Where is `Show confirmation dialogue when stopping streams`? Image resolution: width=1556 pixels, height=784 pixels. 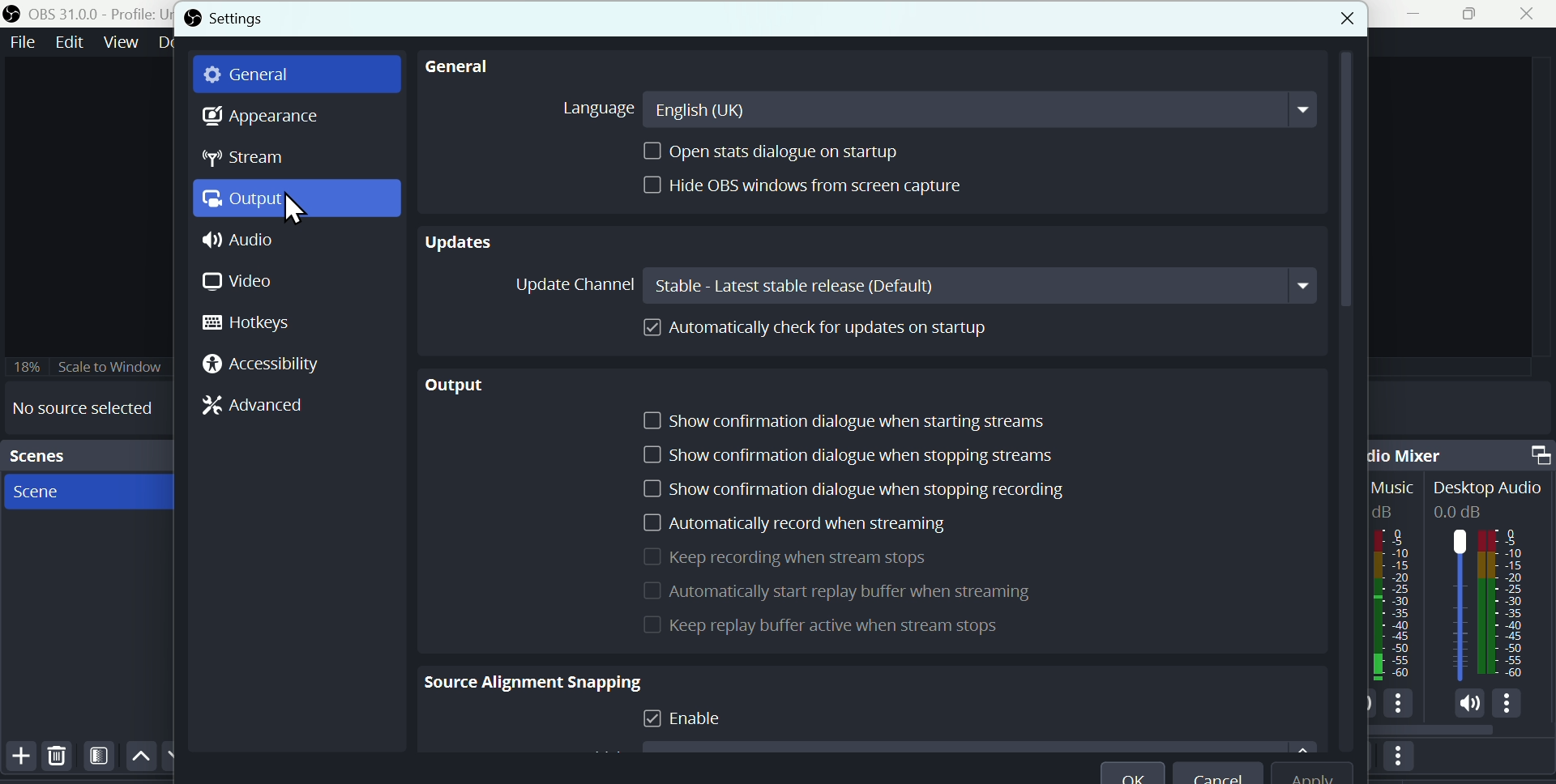
Show confirmation dialogue when stopping streams is located at coordinates (854, 455).